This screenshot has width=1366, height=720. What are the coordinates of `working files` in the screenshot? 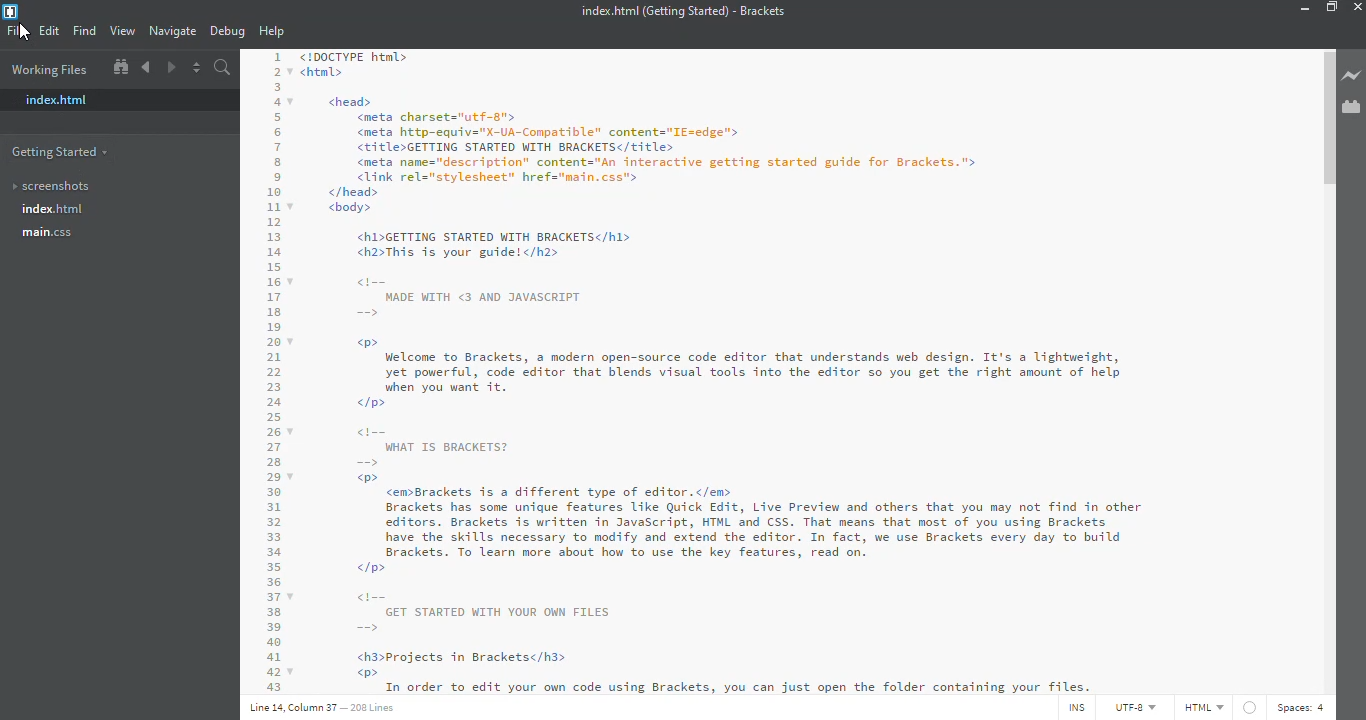 It's located at (51, 69).